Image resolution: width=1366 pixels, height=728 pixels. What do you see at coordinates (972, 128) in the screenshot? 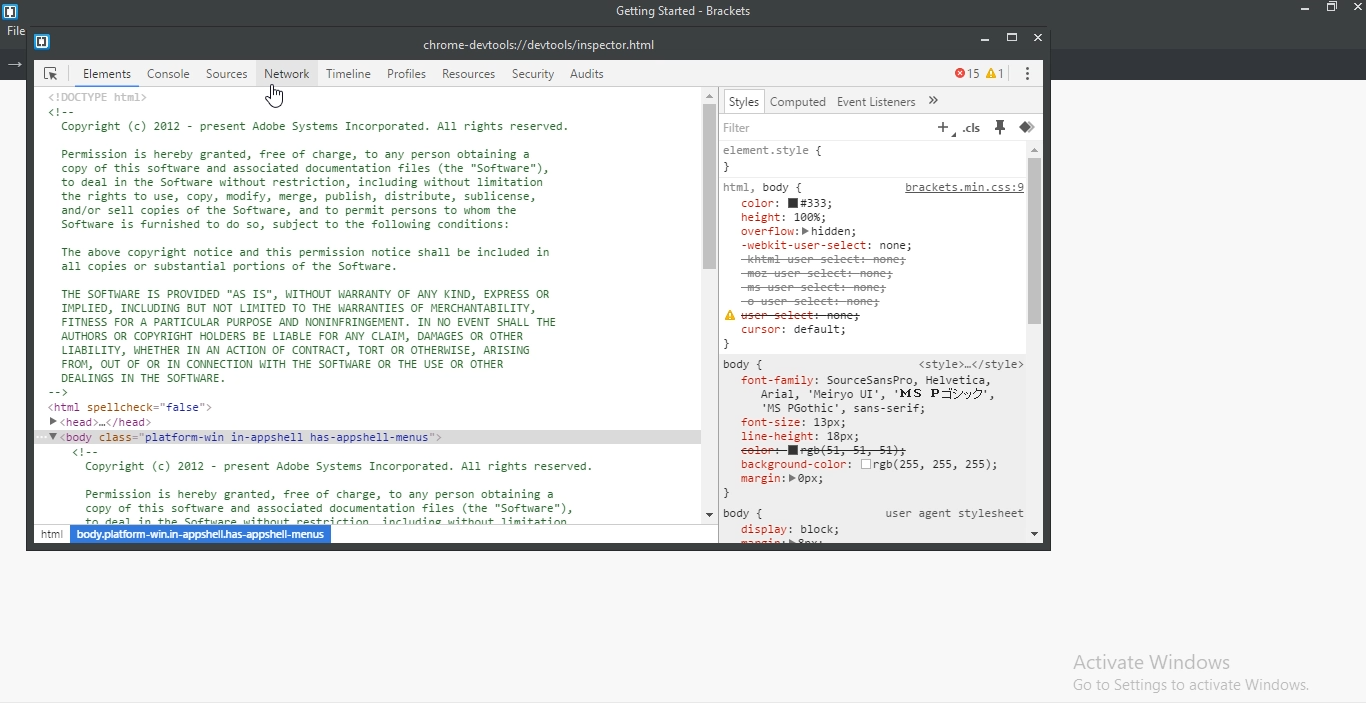
I see `.cls` at bounding box center [972, 128].